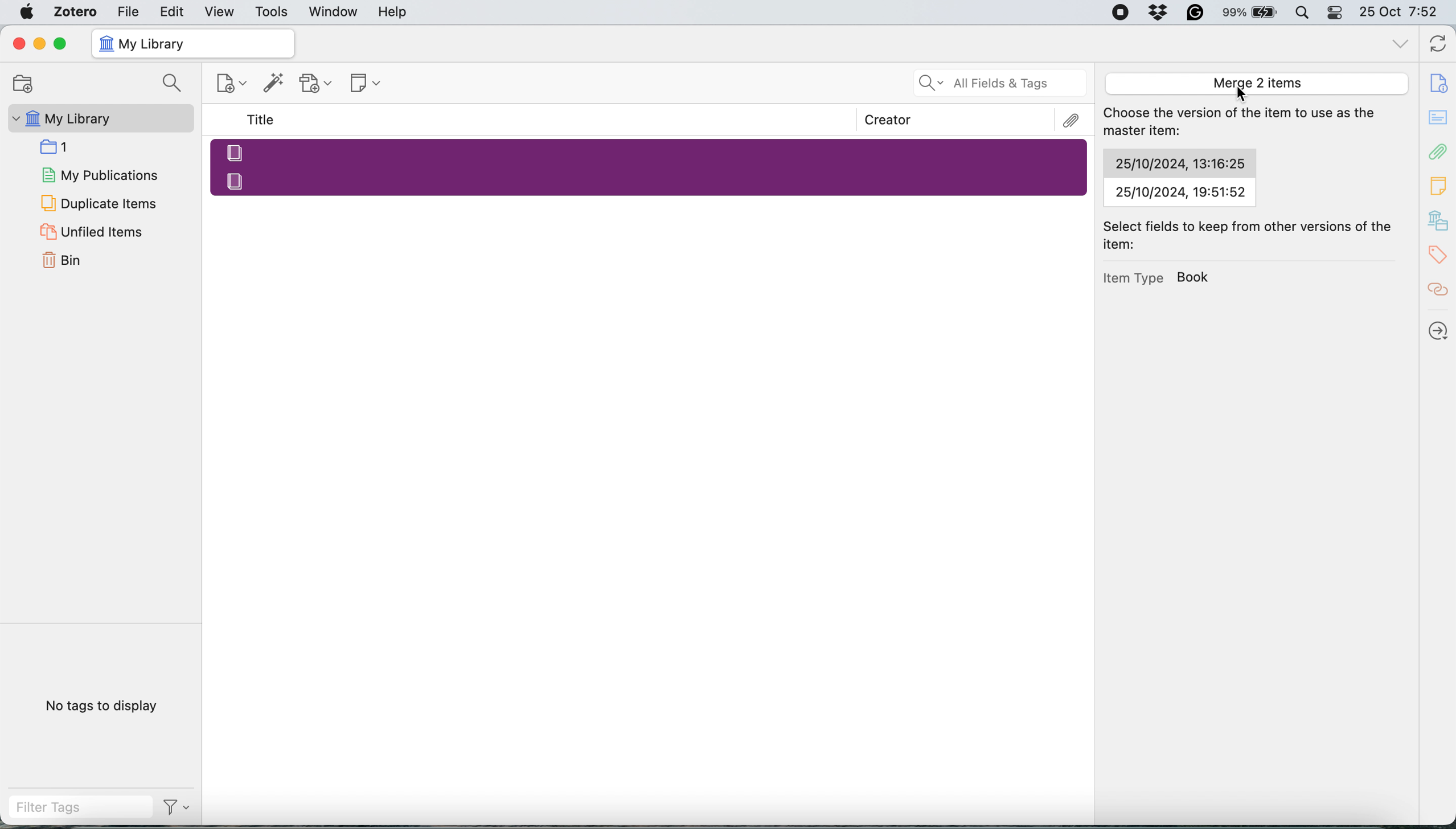  What do you see at coordinates (105, 708) in the screenshot?
I see `No tags to display` at bounding box center [105, 708].